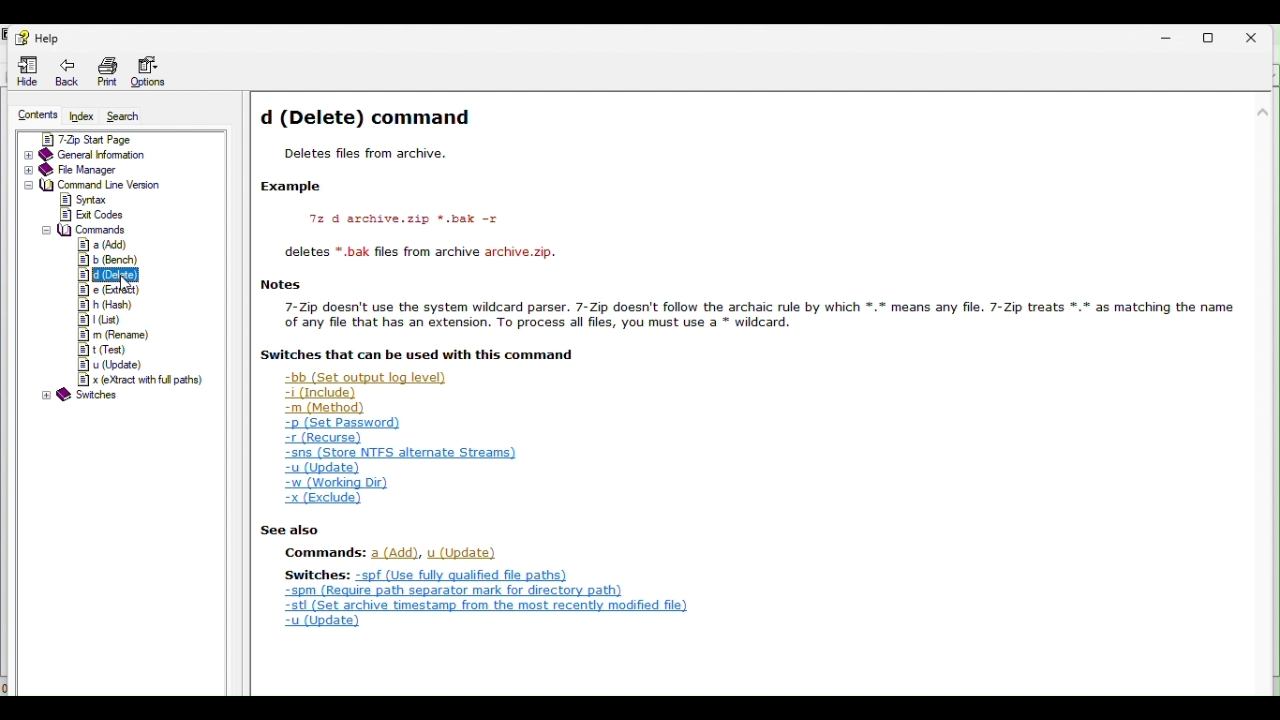  Describe the element at coordinates (1174, 33) in the screenshot. I see `Minimize` at that location.